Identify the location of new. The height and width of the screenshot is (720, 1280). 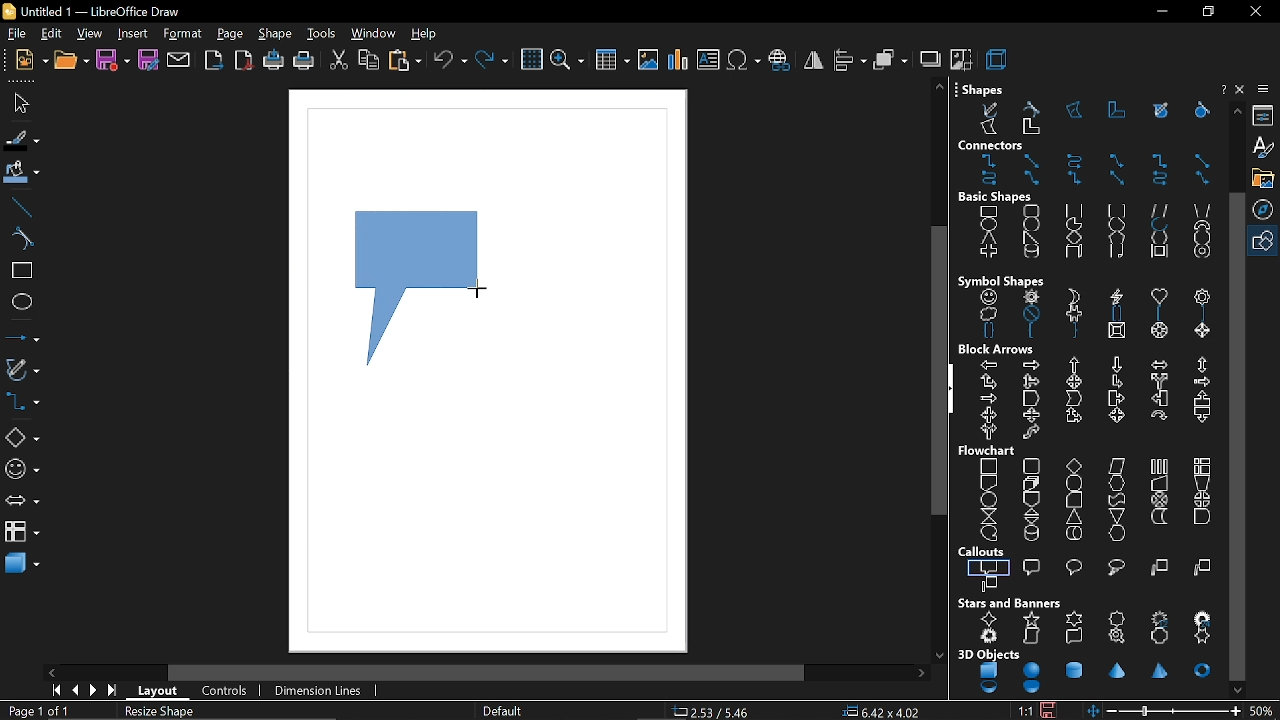
(31, 62).